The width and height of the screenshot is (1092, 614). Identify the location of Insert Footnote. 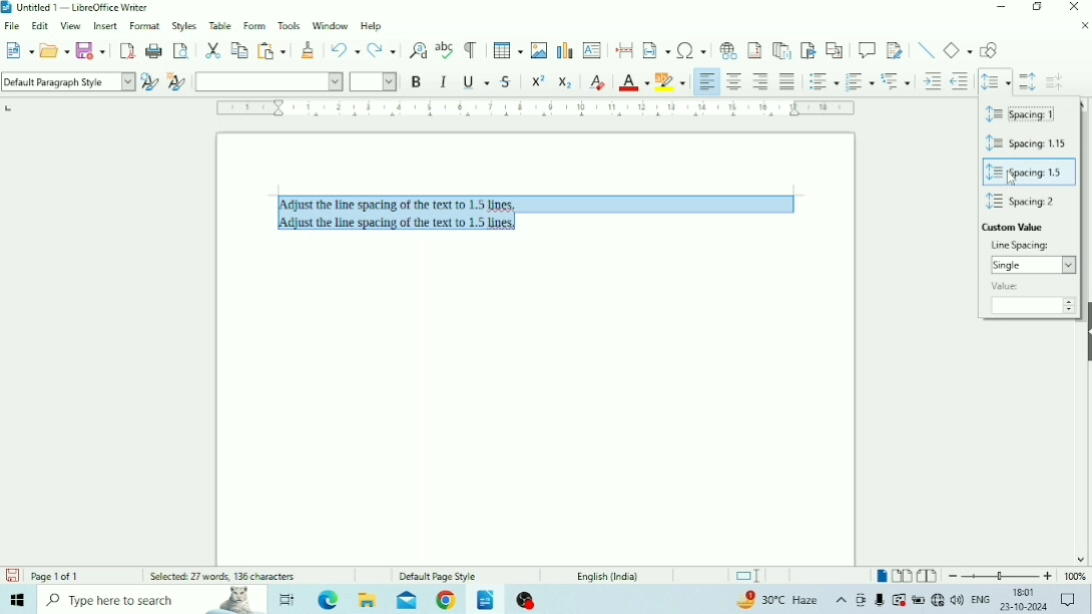
(756, 49).